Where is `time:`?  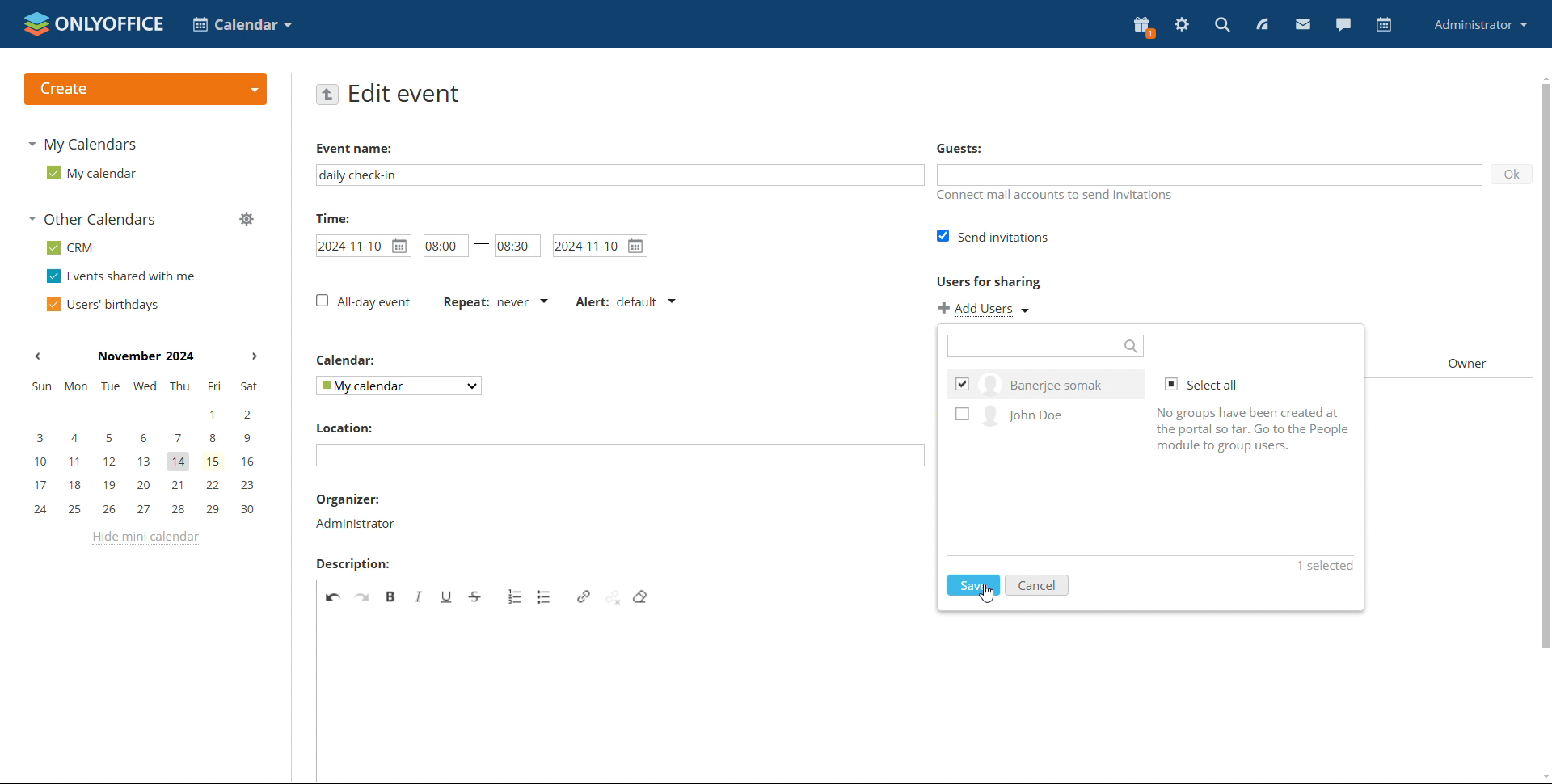
time: is located at coordinates (332, 217).